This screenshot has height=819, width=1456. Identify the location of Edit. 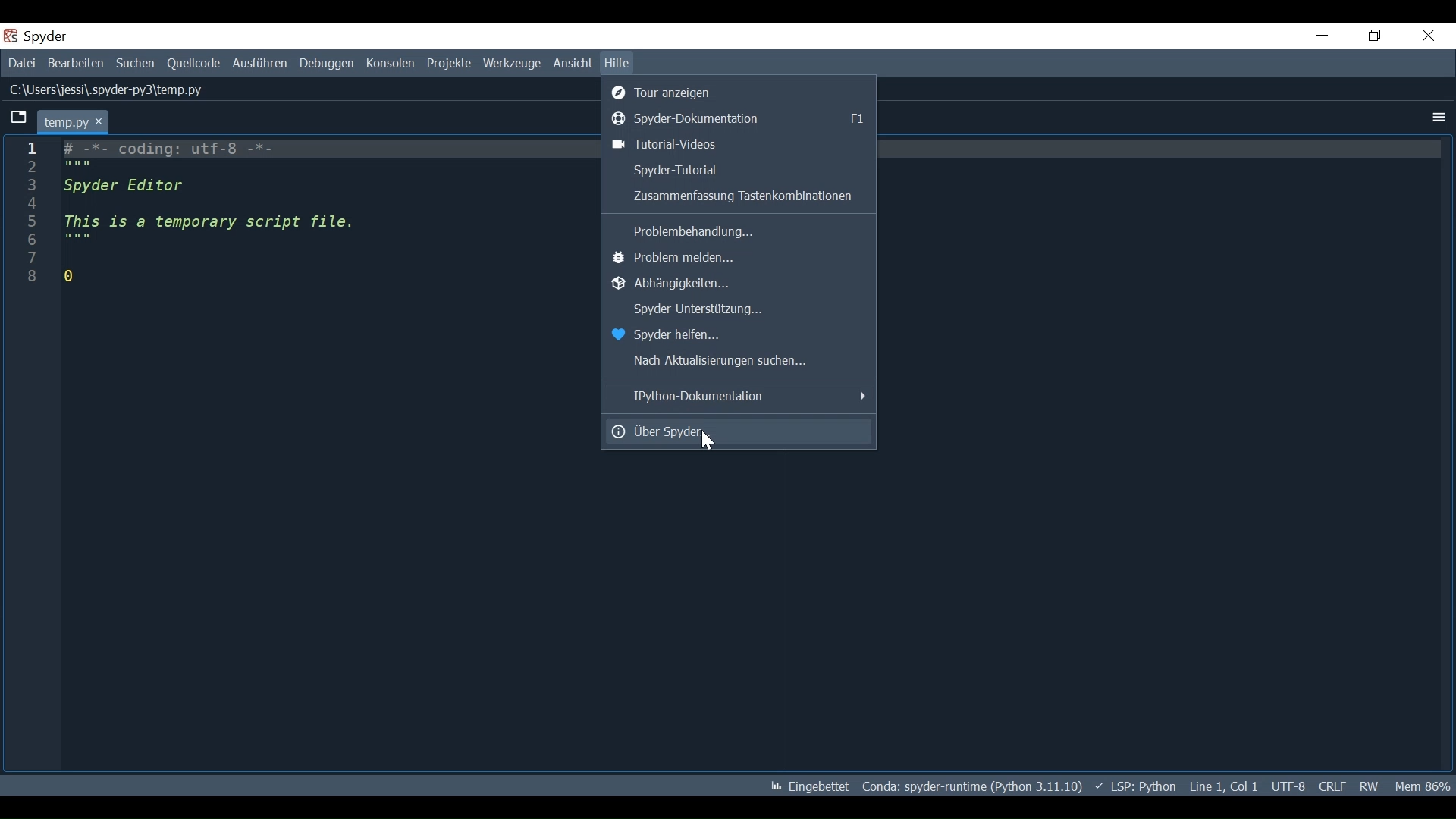
(75, 63).